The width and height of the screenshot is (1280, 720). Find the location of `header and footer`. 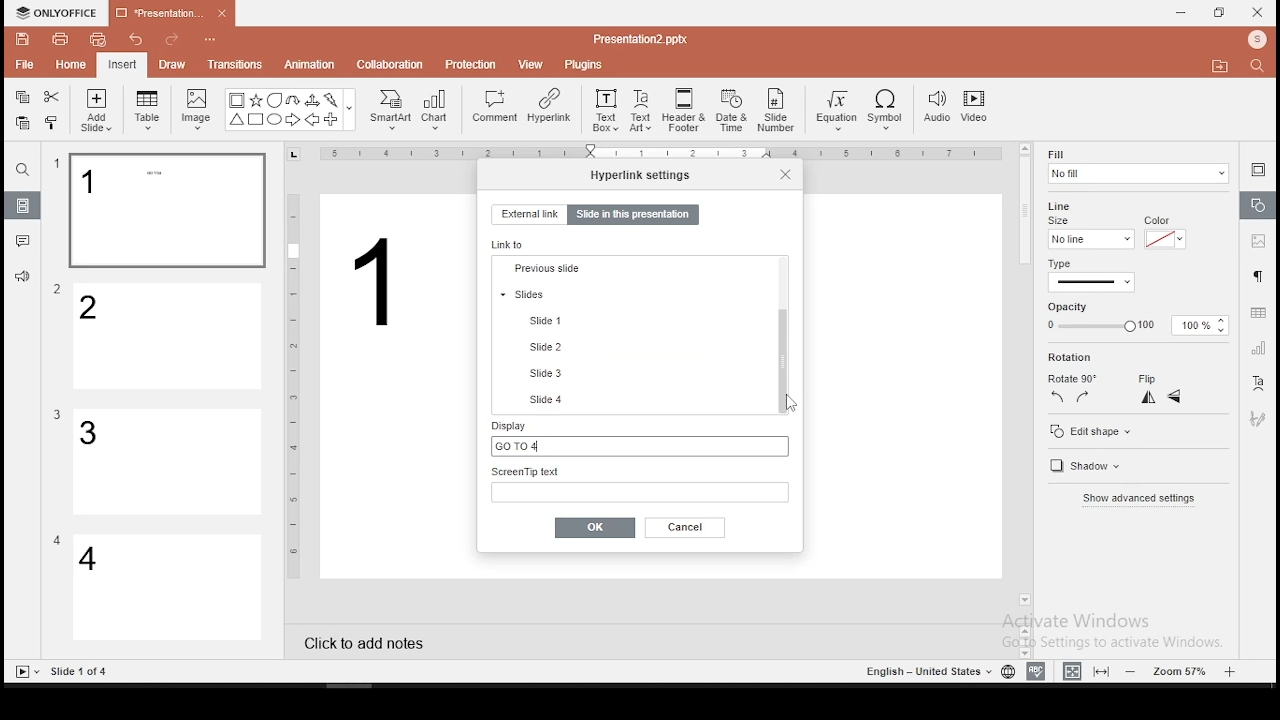

header and footer is located at coordinates (686, 111).